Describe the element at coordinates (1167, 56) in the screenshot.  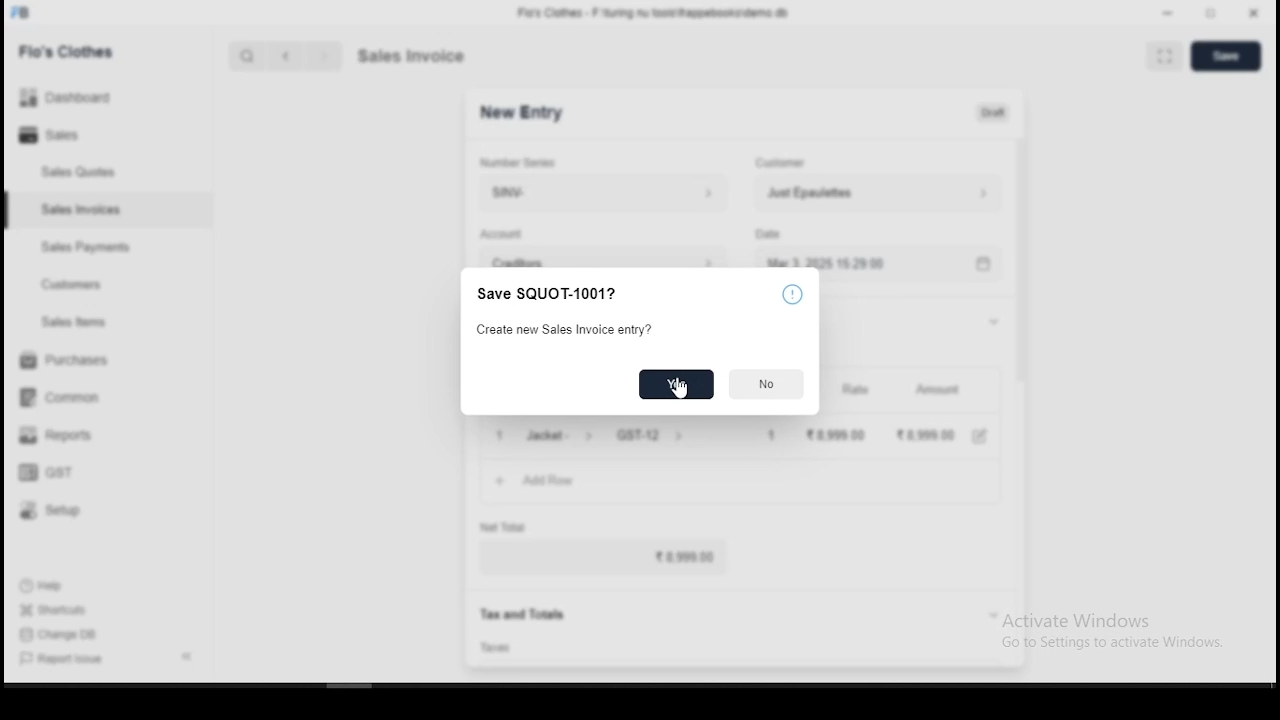
I see `scan` at that location.